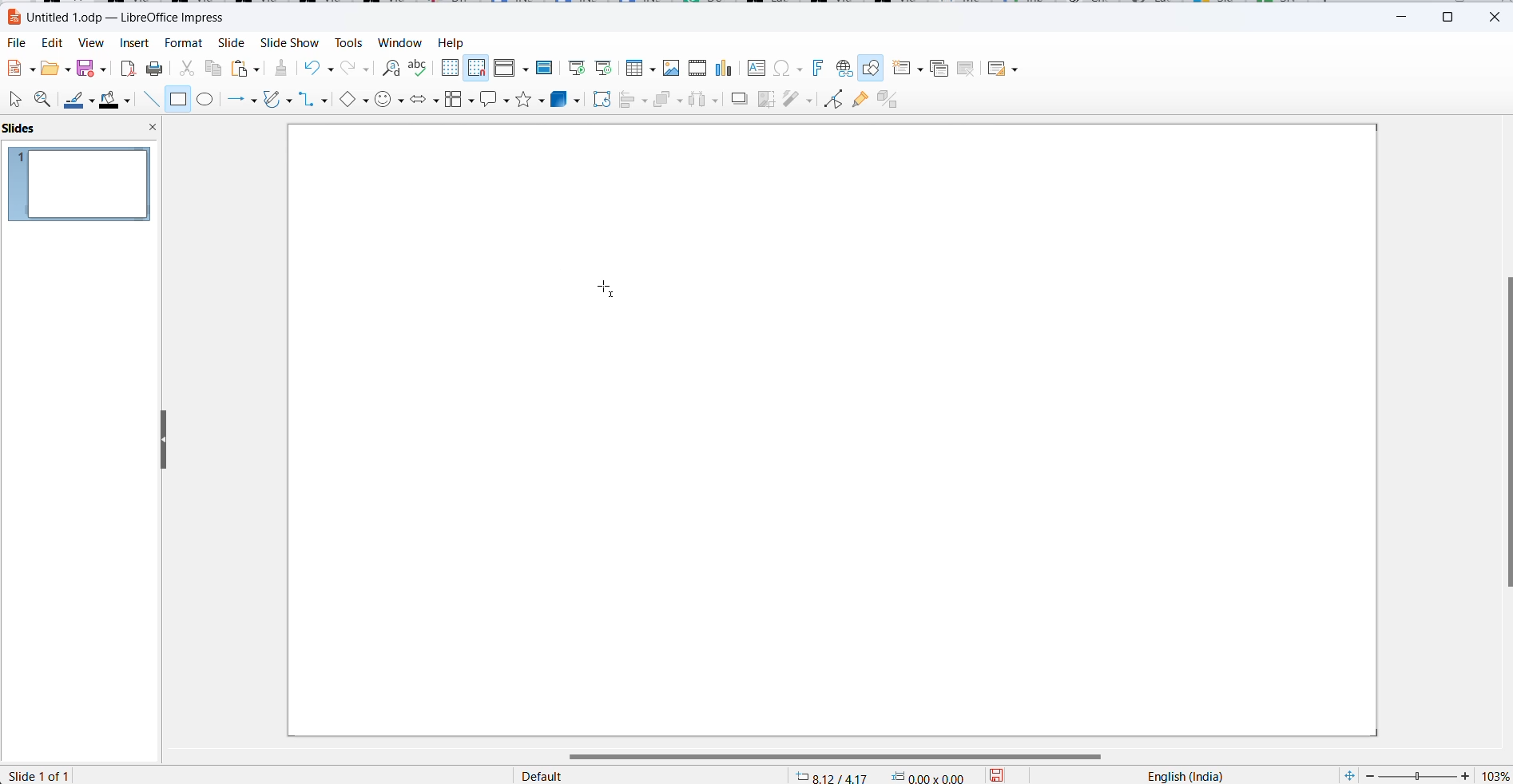 The width and height of the screenshot is (1513, 784). I want to click on Insert audio video, so click(699, 69).